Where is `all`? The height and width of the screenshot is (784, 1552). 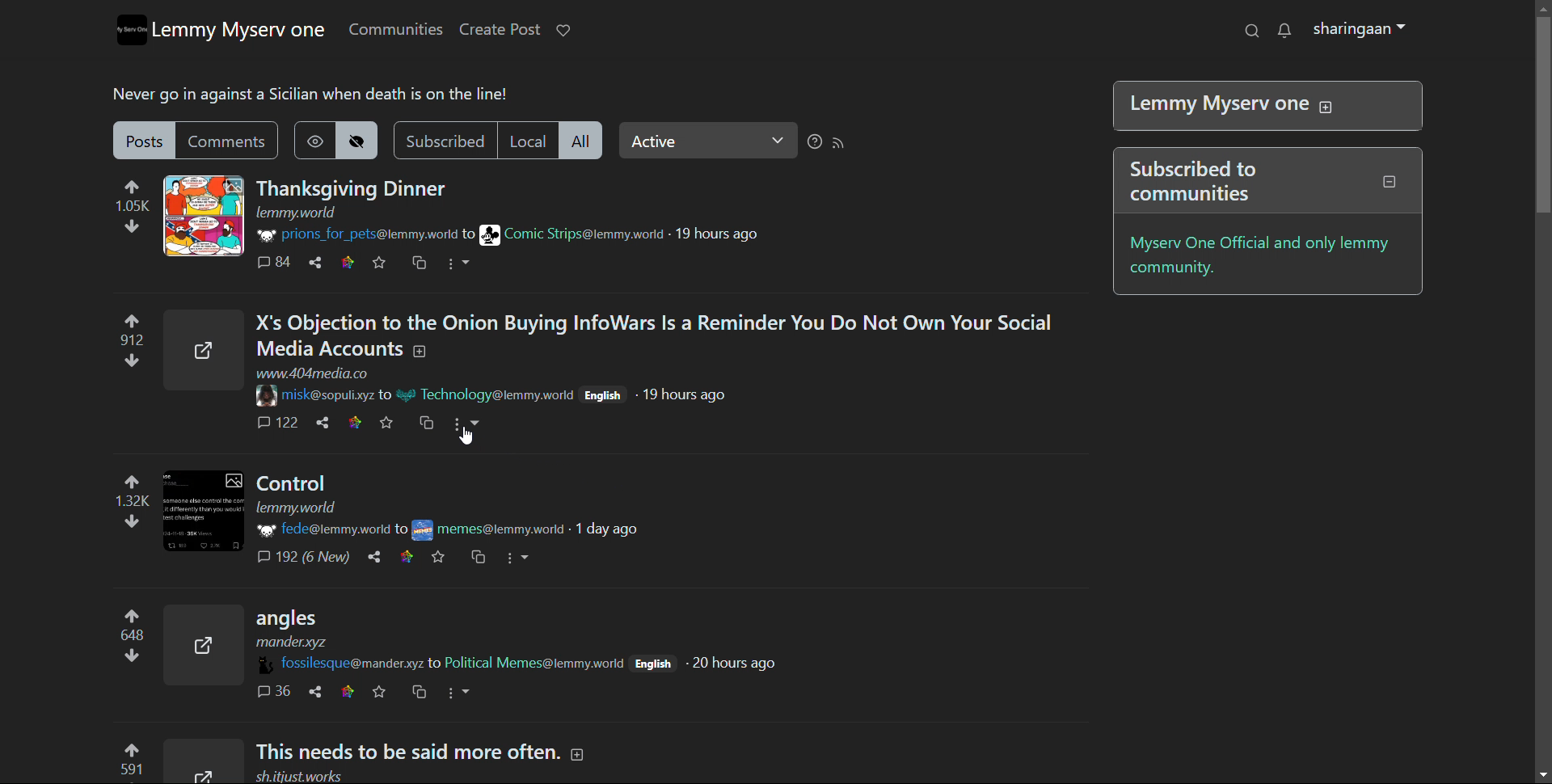
all is located at coordinates (584, 141).